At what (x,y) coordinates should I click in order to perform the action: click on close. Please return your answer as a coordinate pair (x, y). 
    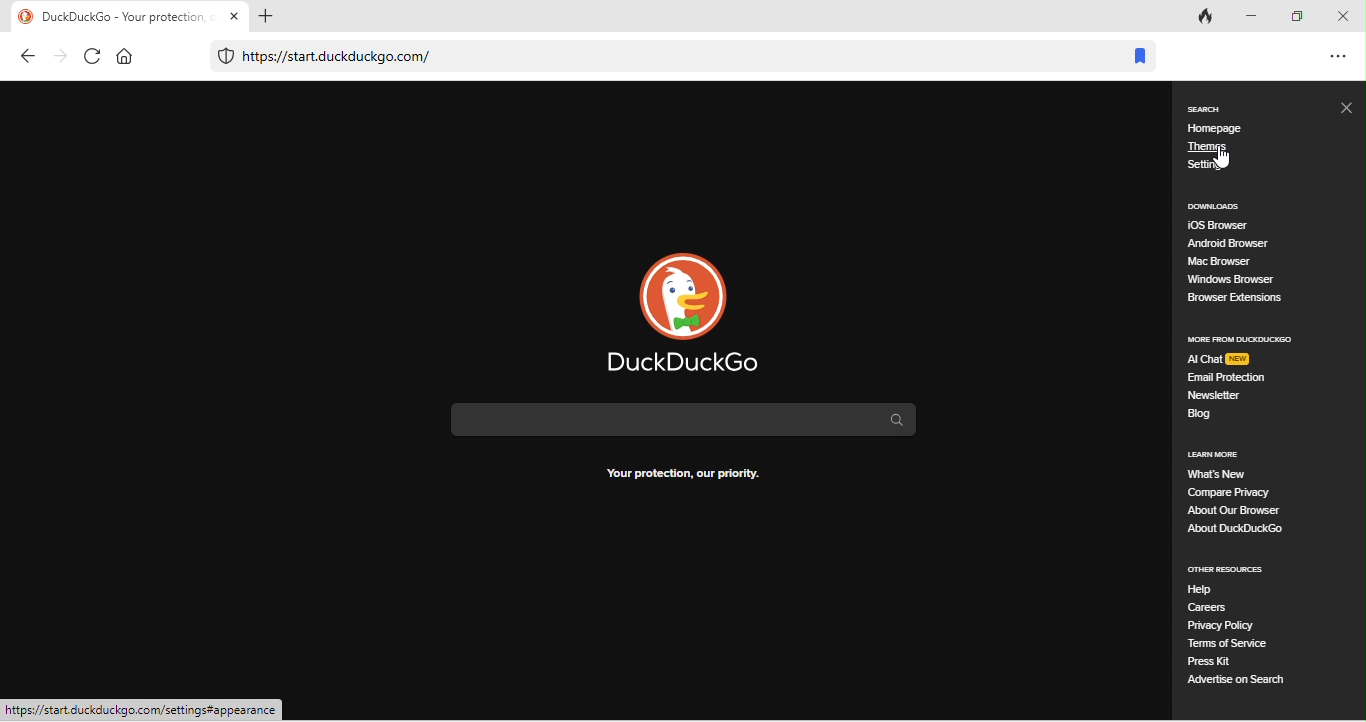
    Looking at the image, I should click on (1344, 103).